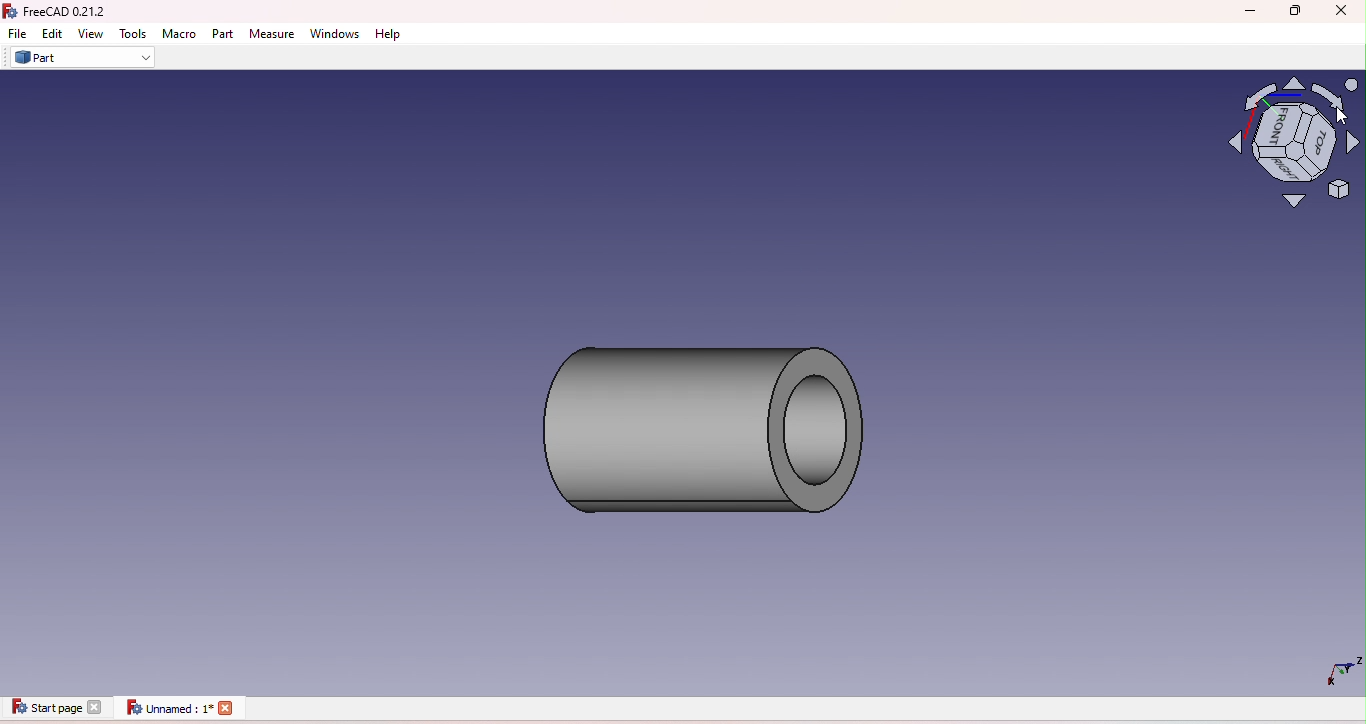 This screenshot has width=1366, height=724. What do you see at coordinates (1339, 11) in the screenshot?
I see `Close` at bounding box center [1339, 11].